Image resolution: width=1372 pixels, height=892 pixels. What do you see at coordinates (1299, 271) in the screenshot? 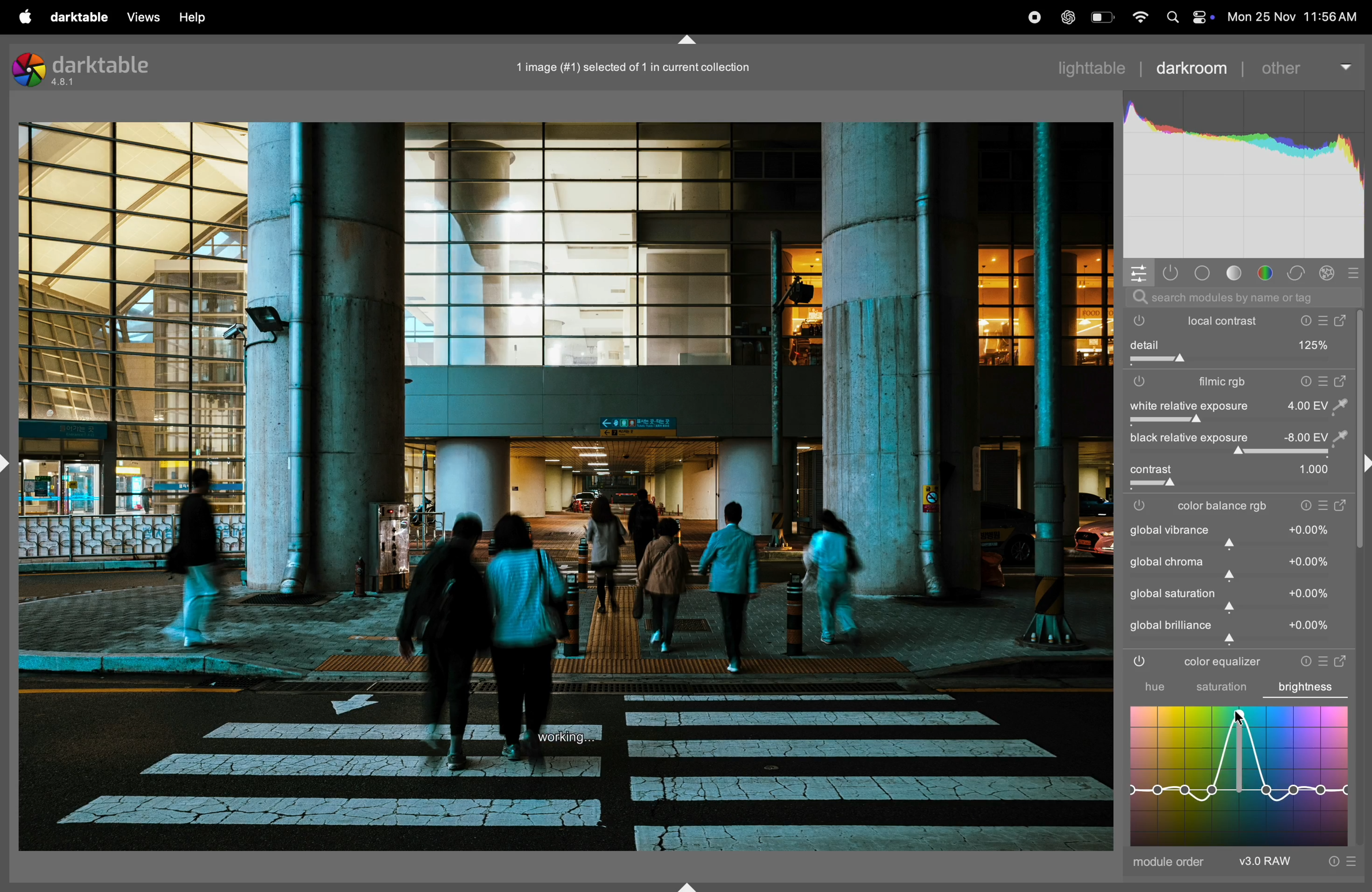
I see `correct` at bounding box center [1299, 271].